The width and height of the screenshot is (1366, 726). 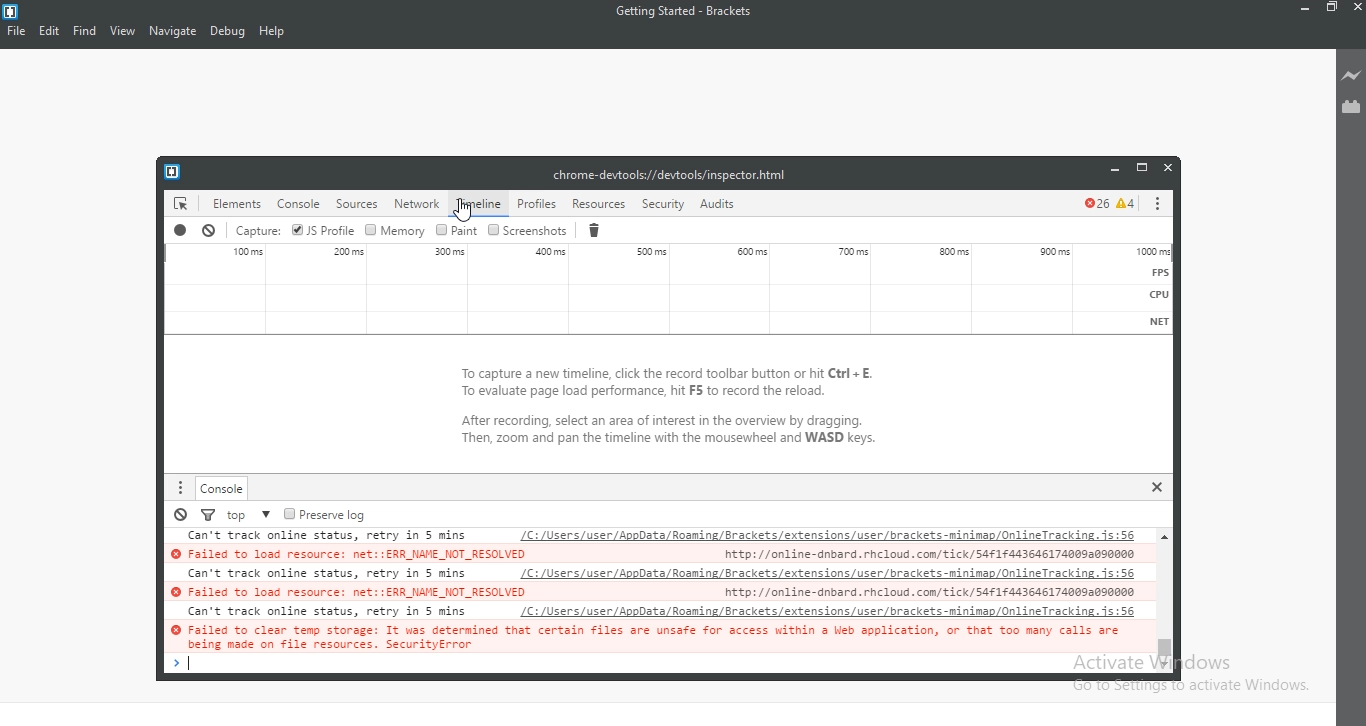 What do you see at coordinates (479, 202) in the screenshot?
I see `timeline` at bounding box center [479, 202].